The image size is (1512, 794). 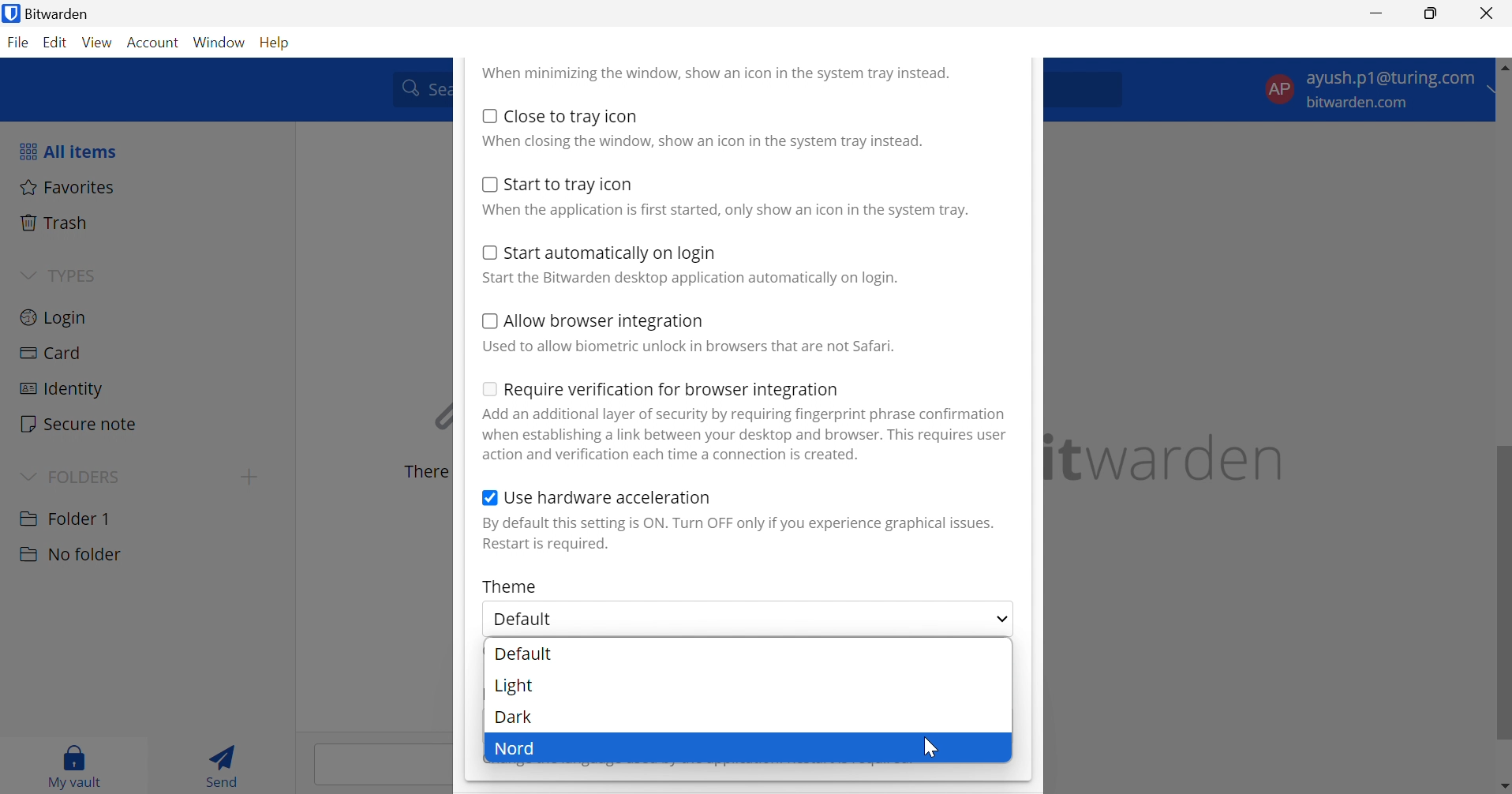 What do you see at coordinates (673, 455) in the screenshot?
I see `action and verification each time a connection is created.` at bounding box center [673, 455].